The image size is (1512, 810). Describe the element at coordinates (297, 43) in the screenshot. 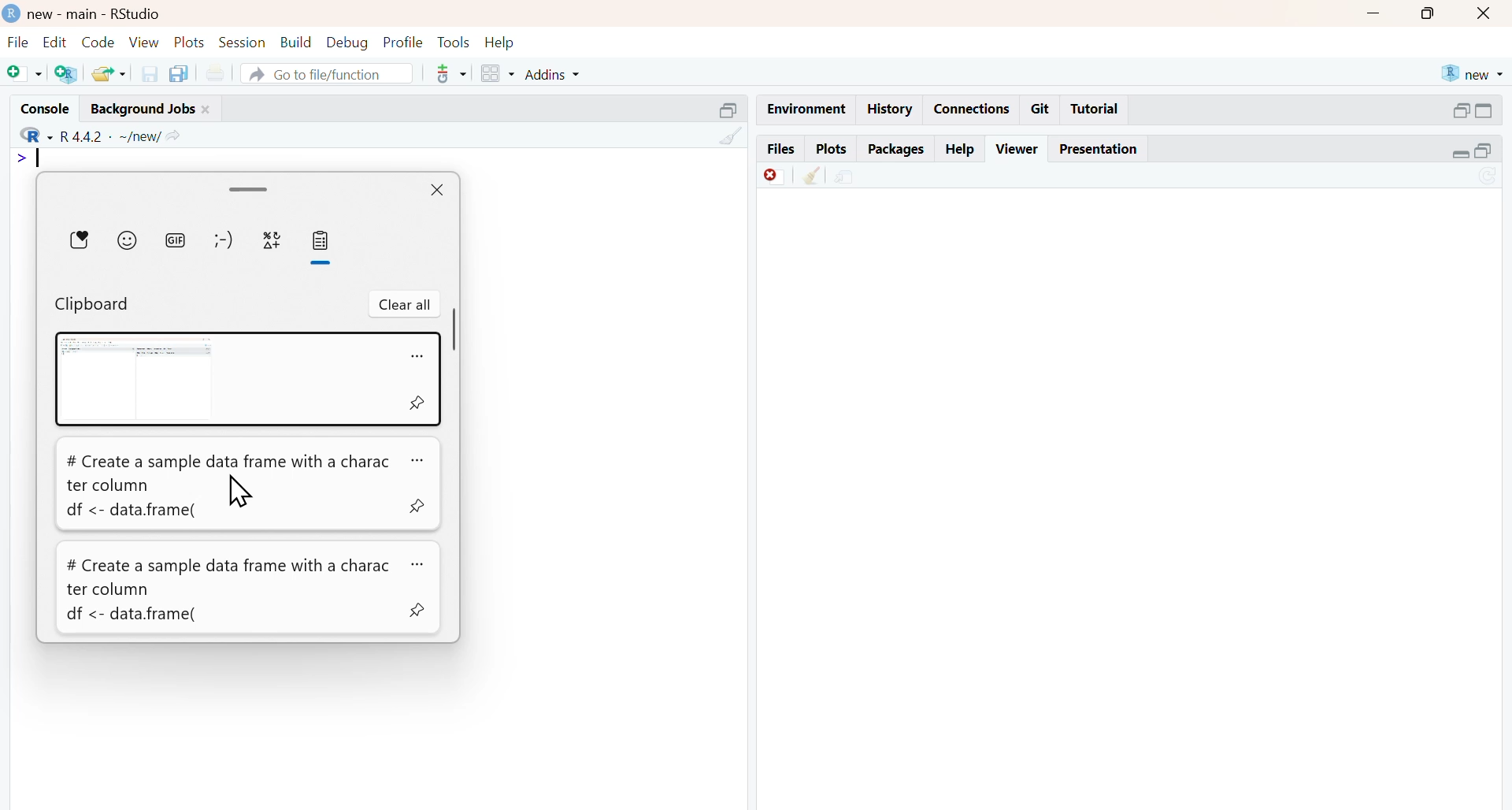

I see `build` at that location.